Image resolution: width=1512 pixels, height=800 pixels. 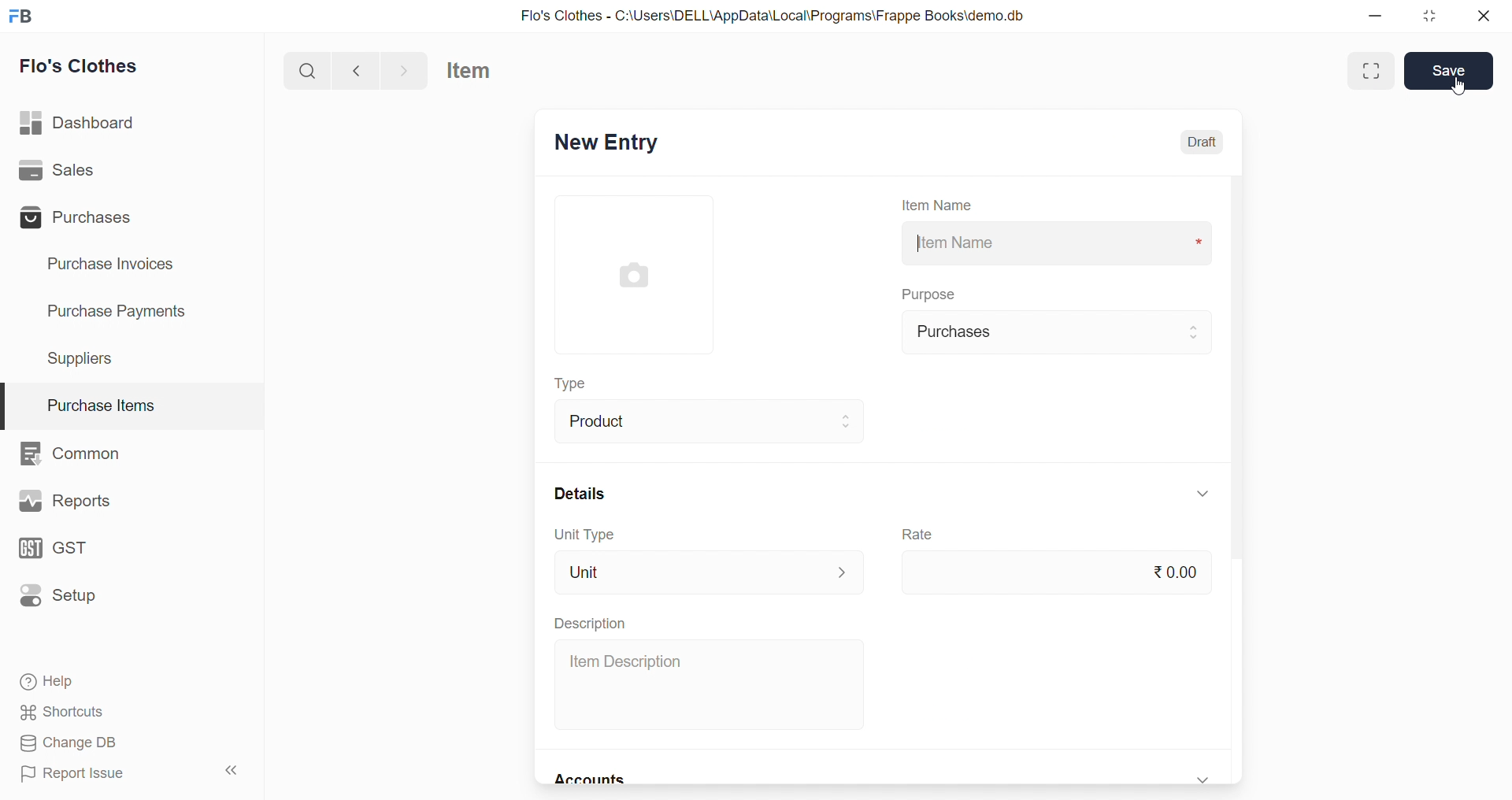 I want to click on Setup, so click(x=69, y=598).